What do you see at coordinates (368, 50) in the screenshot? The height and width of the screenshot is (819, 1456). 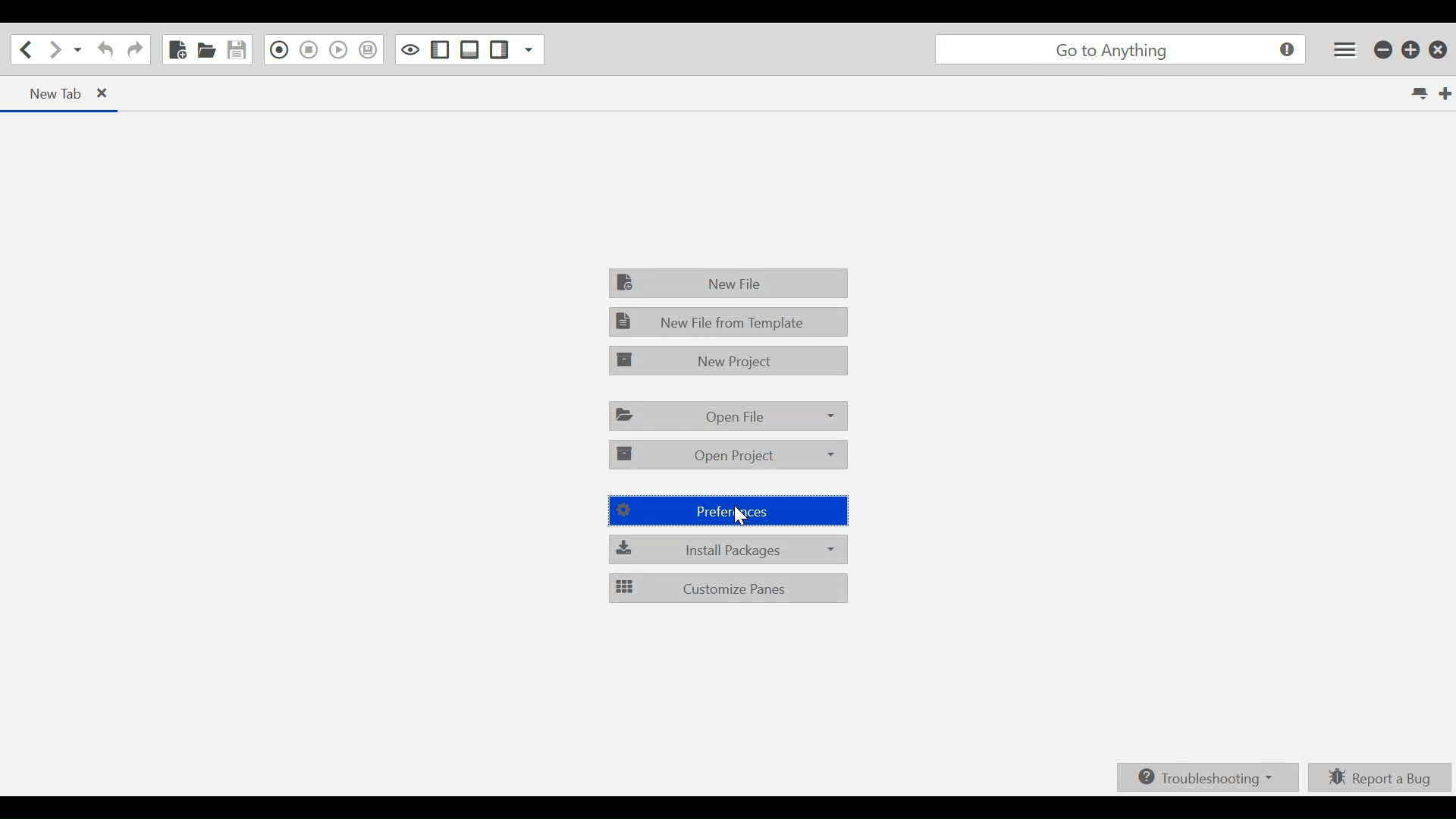 I see `Jump to the next syntax checking result` at bounding box center [368, 50].